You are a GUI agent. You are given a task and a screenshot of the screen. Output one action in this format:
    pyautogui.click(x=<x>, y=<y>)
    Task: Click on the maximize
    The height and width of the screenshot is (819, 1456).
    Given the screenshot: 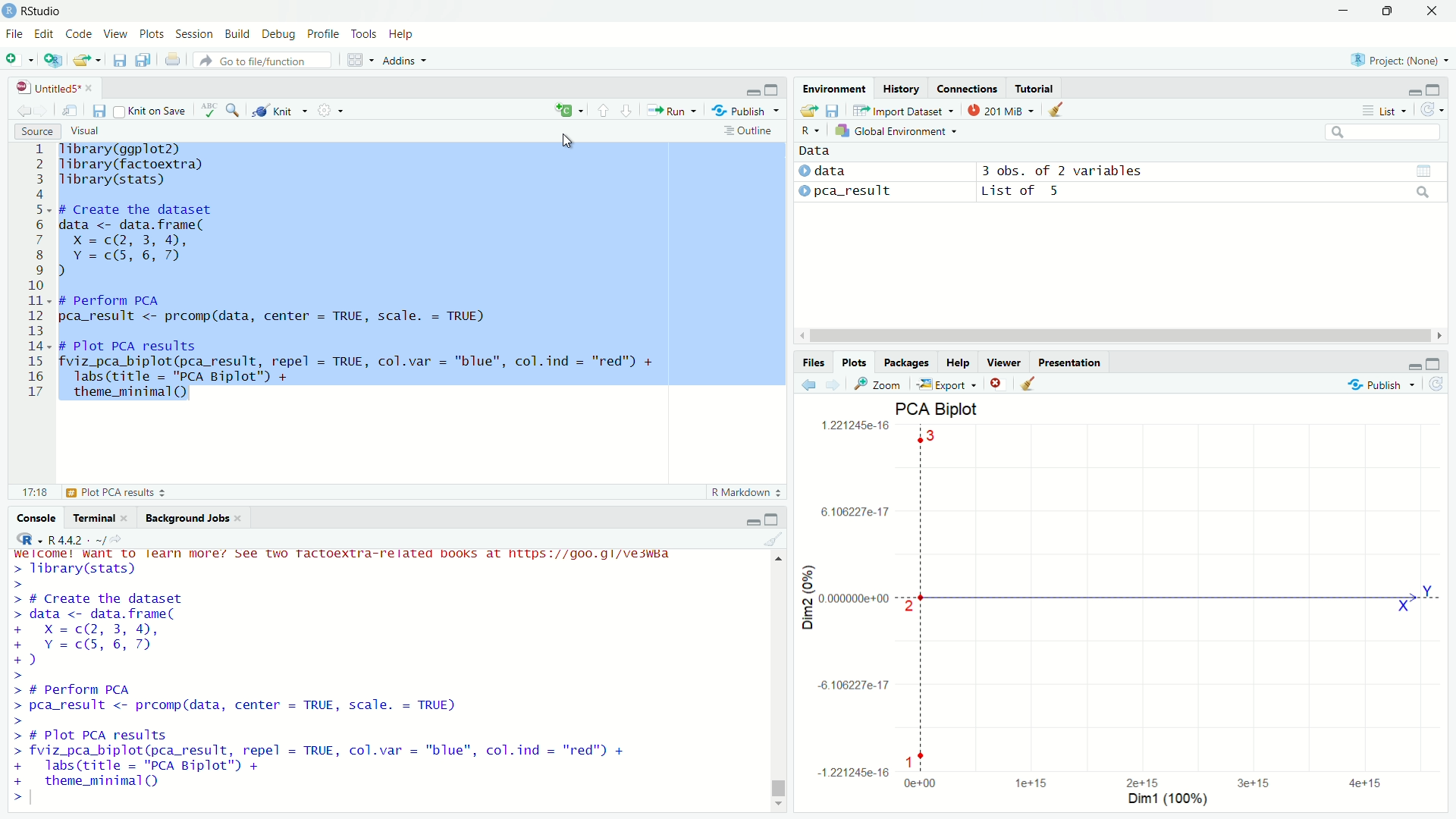 What is the action you would take?
    pyautogui.click(x=1435, y=89)
    